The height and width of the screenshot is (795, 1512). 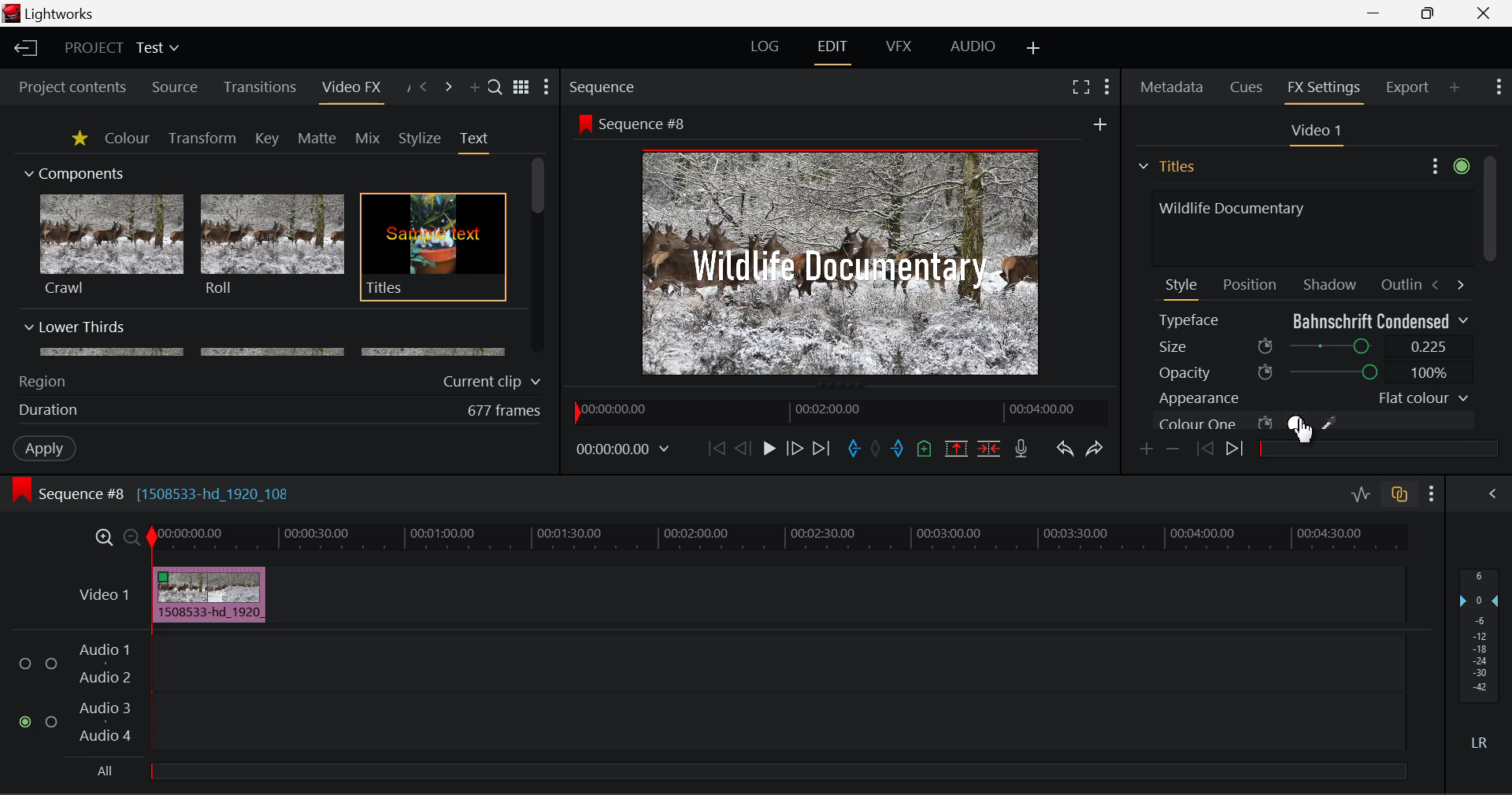 What do you see at coordinates (991, 448) in the screenshot?
I see `Delete/Cut` at bounding box center [991, 448].